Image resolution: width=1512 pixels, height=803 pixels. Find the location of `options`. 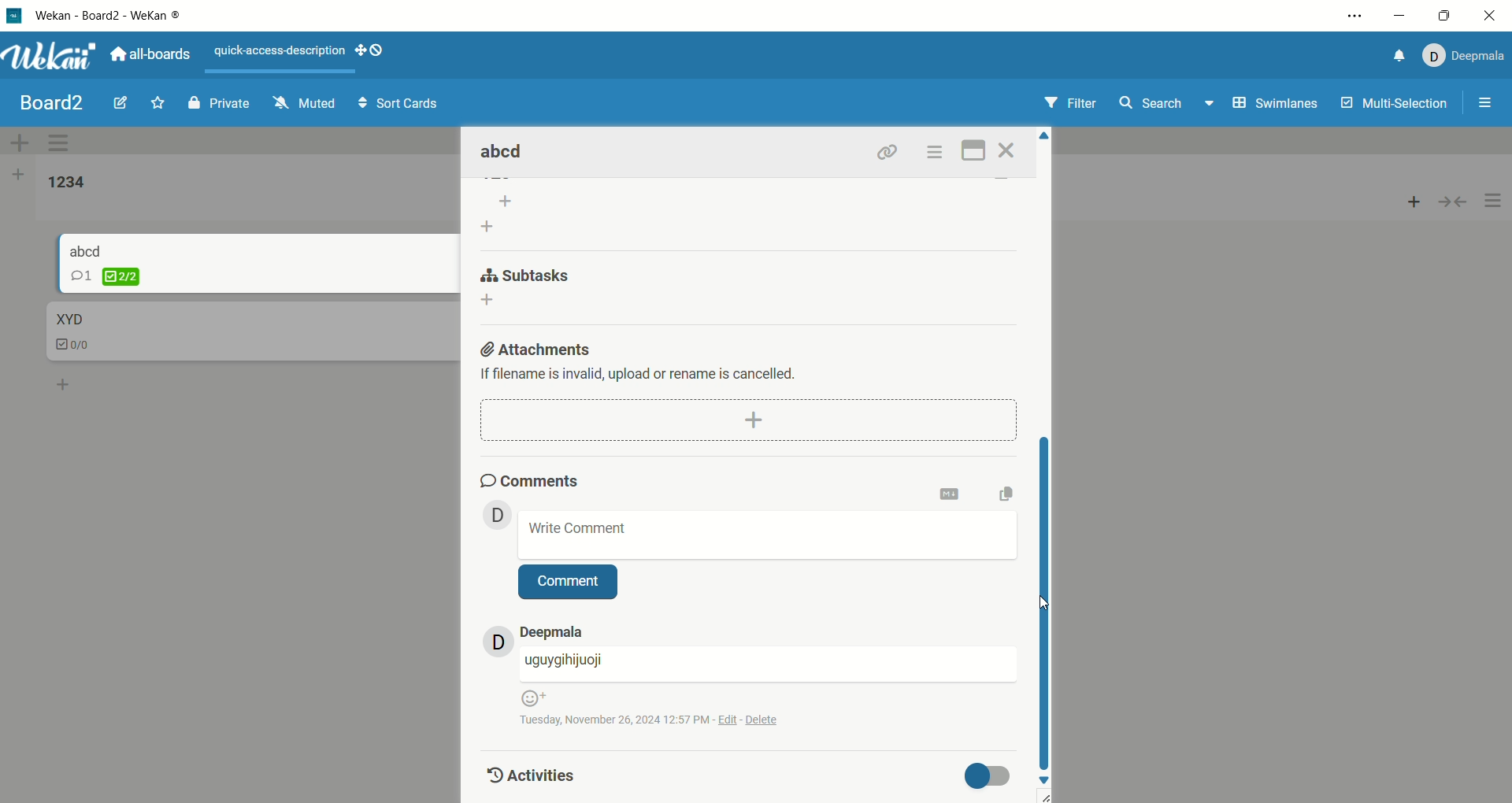

options is located at coordinates (934, 152).